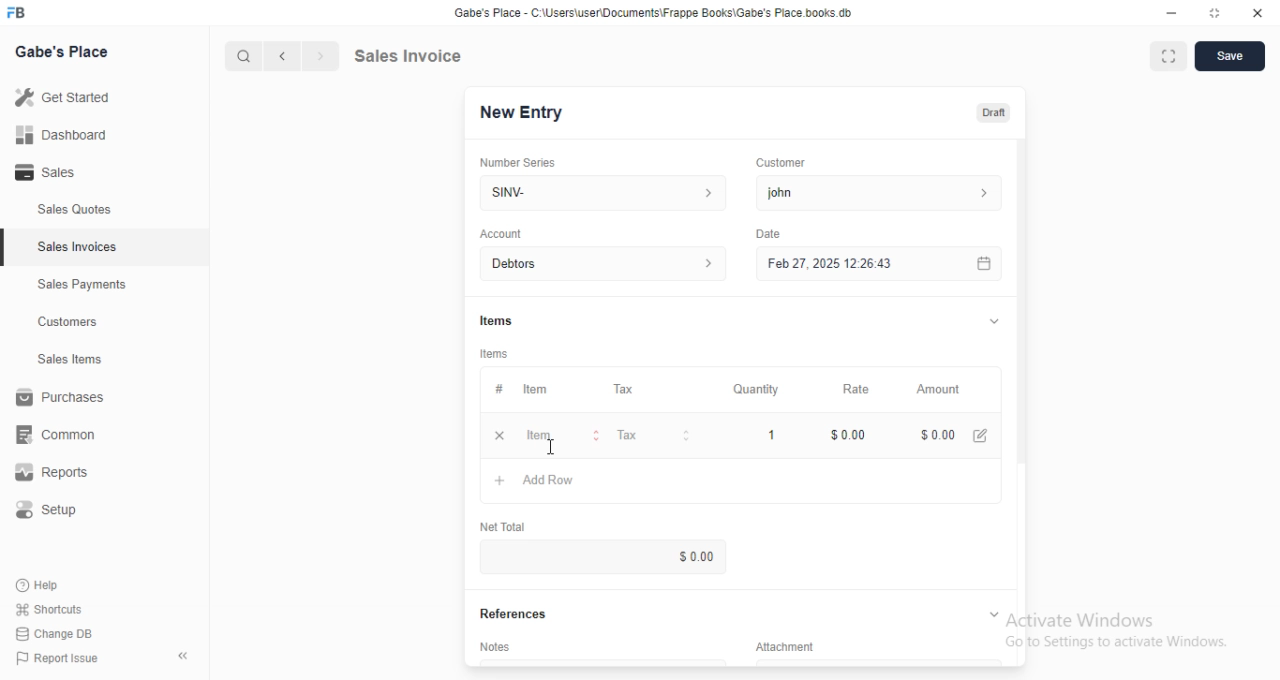 This screenshot has height=680, width=1280. What do you see at coordinates (24, 13) in the screenshot?
I see `Logo` at bounding box center [24, 13].